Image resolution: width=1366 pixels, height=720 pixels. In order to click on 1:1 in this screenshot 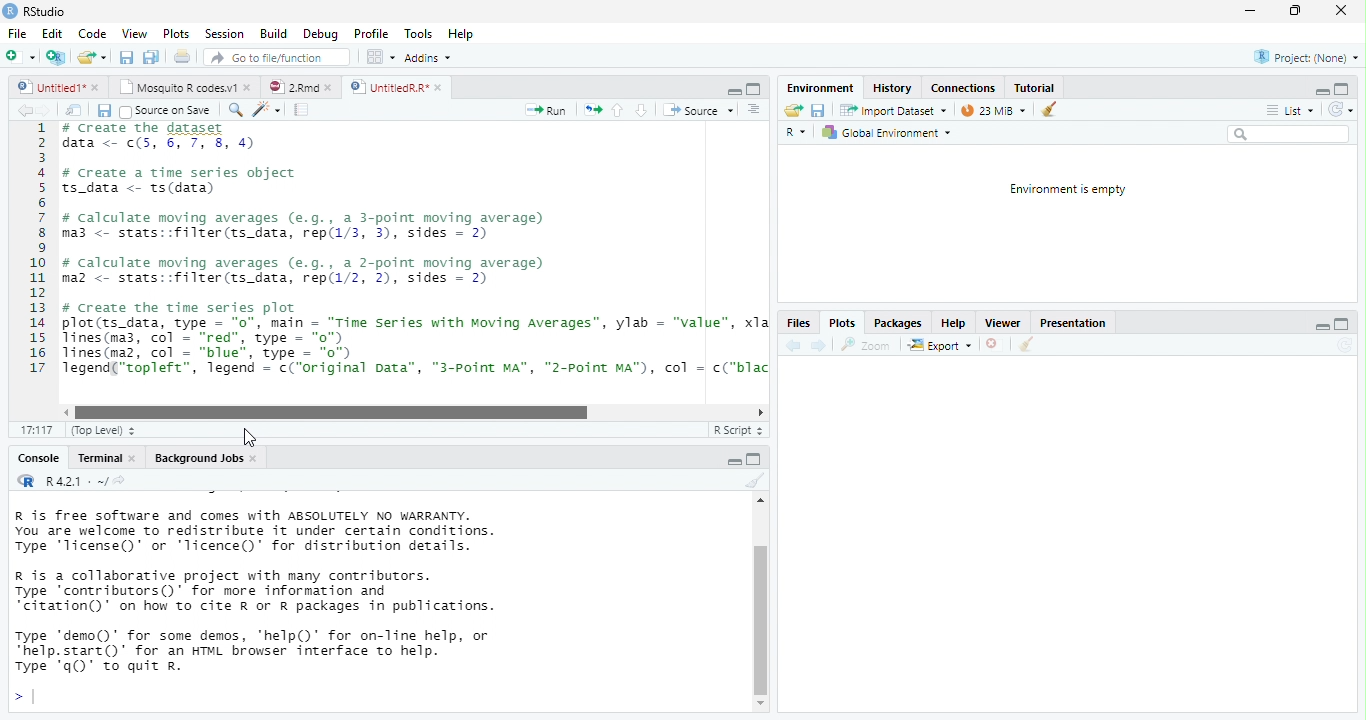, I will do `click(34, 431)`.